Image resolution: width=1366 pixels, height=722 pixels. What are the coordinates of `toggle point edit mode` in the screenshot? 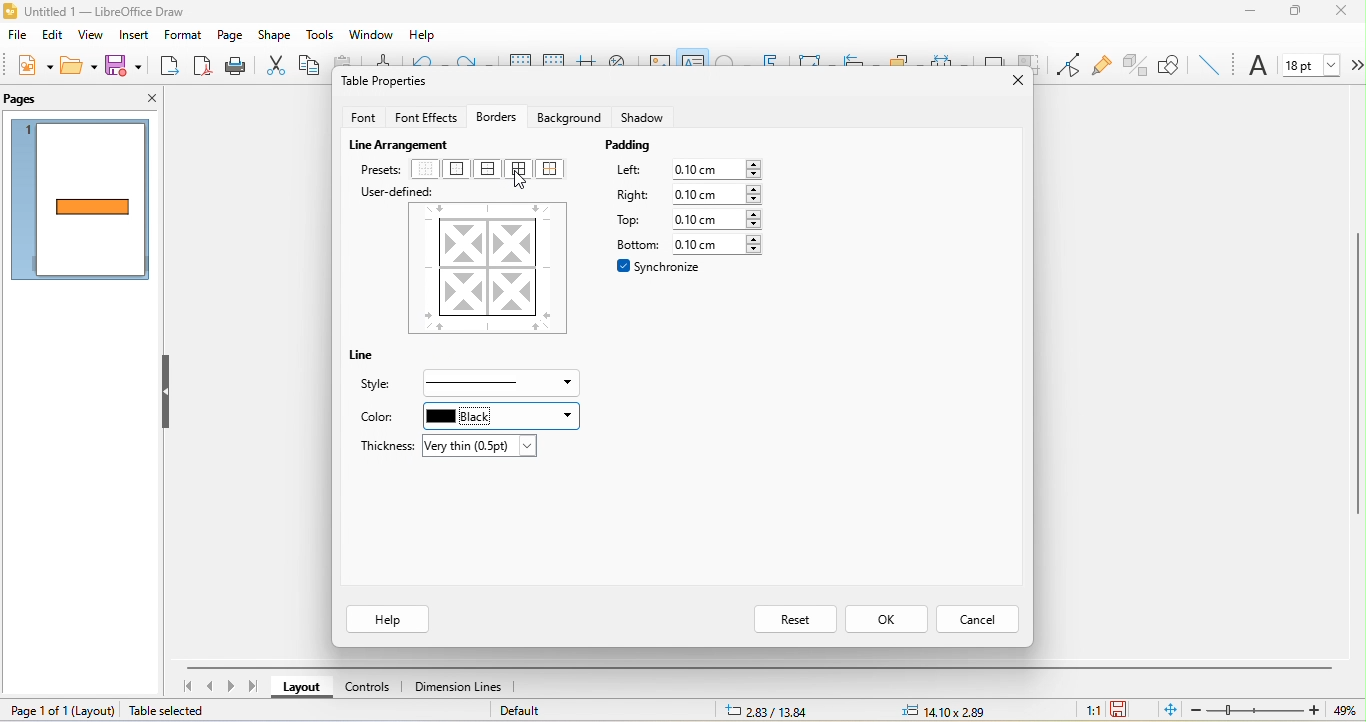 It's located at (1070, 65).